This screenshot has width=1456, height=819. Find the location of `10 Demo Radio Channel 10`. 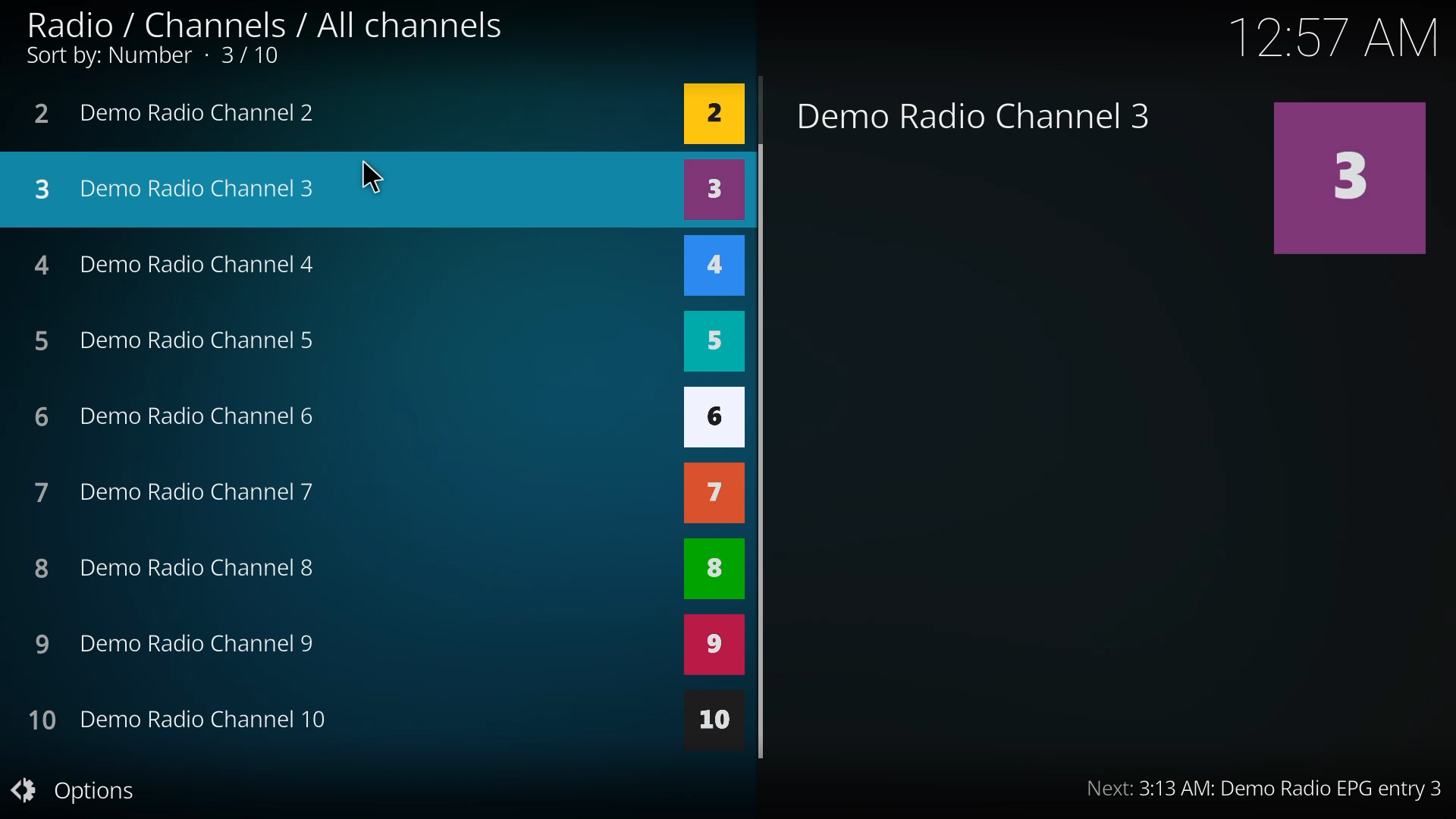

10 Demo Radio Channel 10 is located at coordinates (184, 720).